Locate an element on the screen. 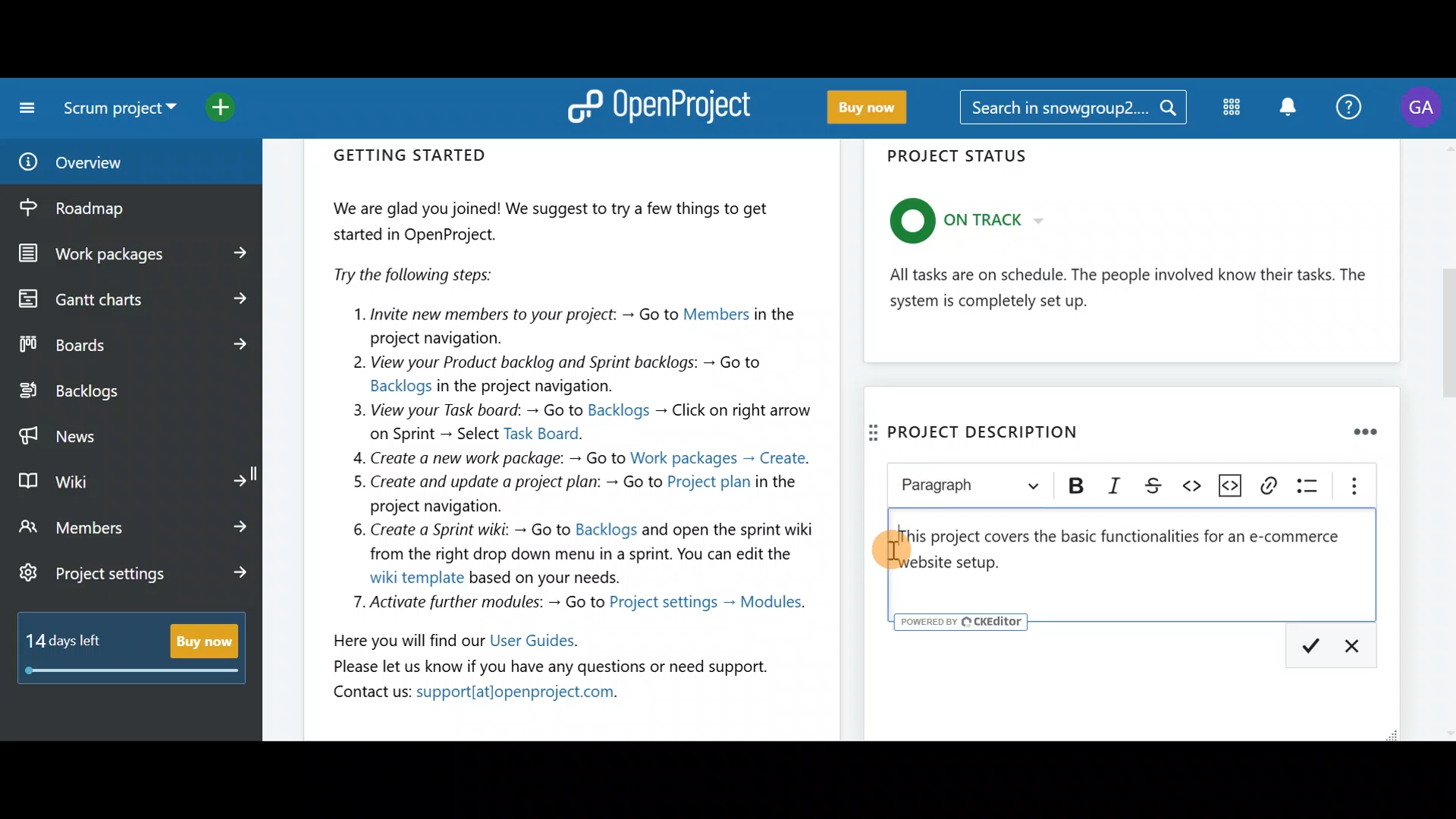  Insert code snippet is located at coordinates (1229, 484).